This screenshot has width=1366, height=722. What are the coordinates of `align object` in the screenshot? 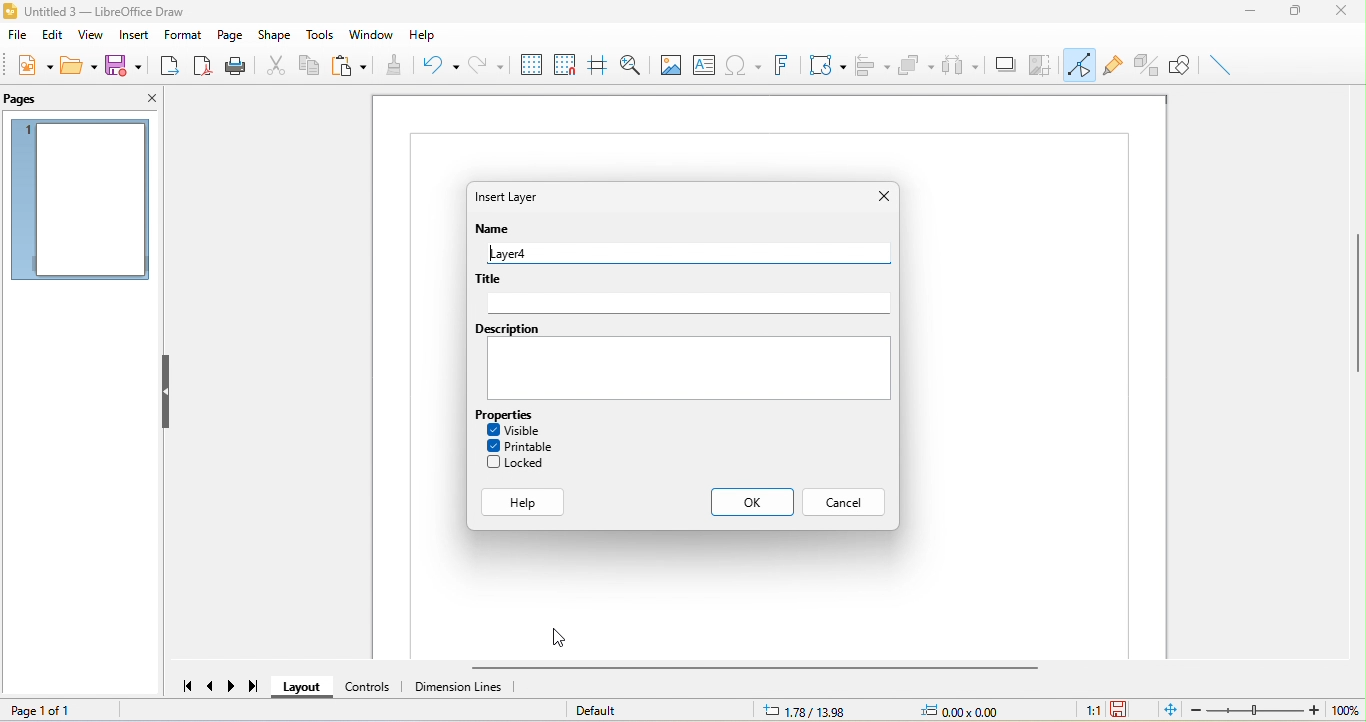 It's located at (876, 62).